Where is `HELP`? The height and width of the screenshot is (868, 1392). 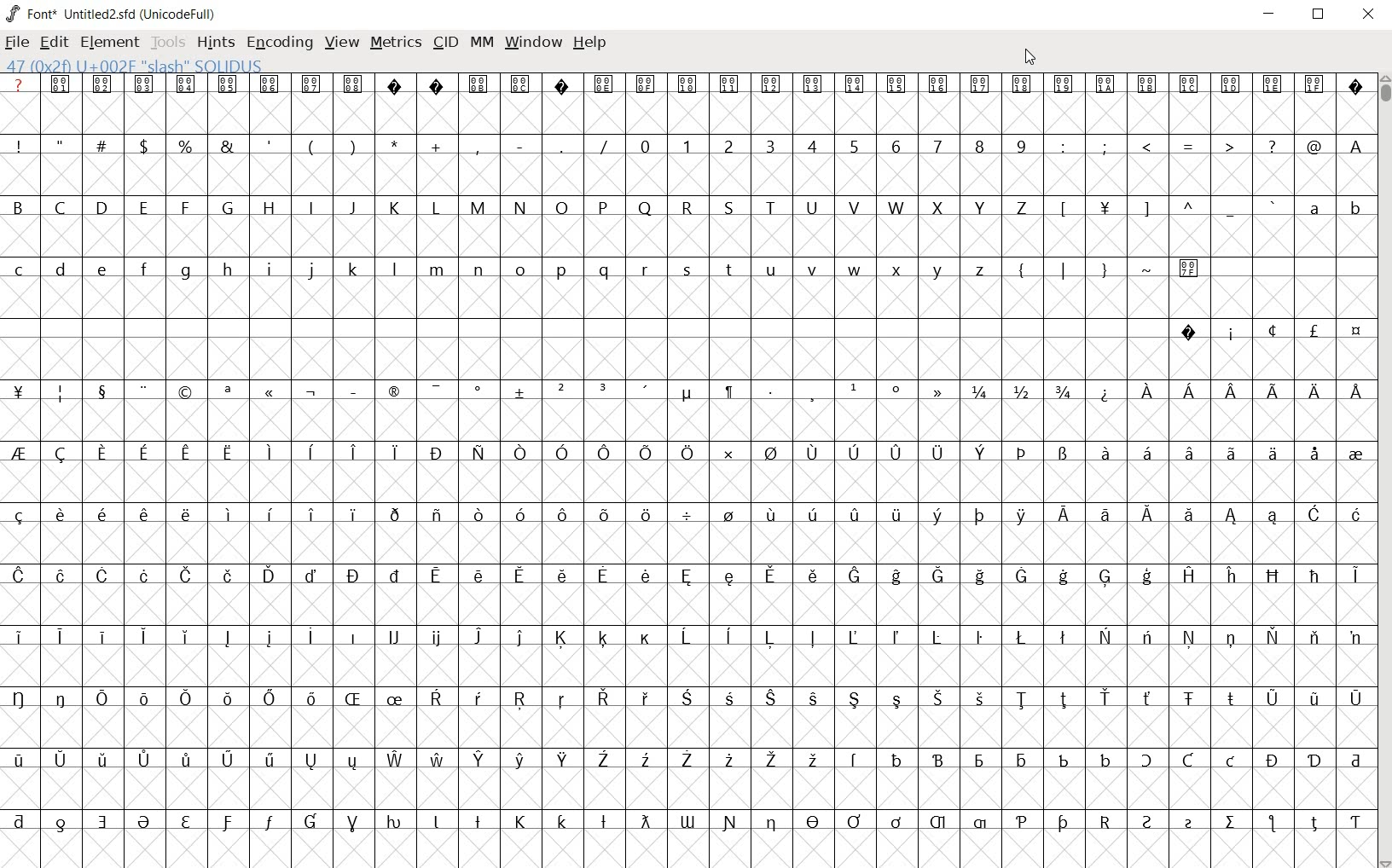
HELP is located at coordinates (590, 43).